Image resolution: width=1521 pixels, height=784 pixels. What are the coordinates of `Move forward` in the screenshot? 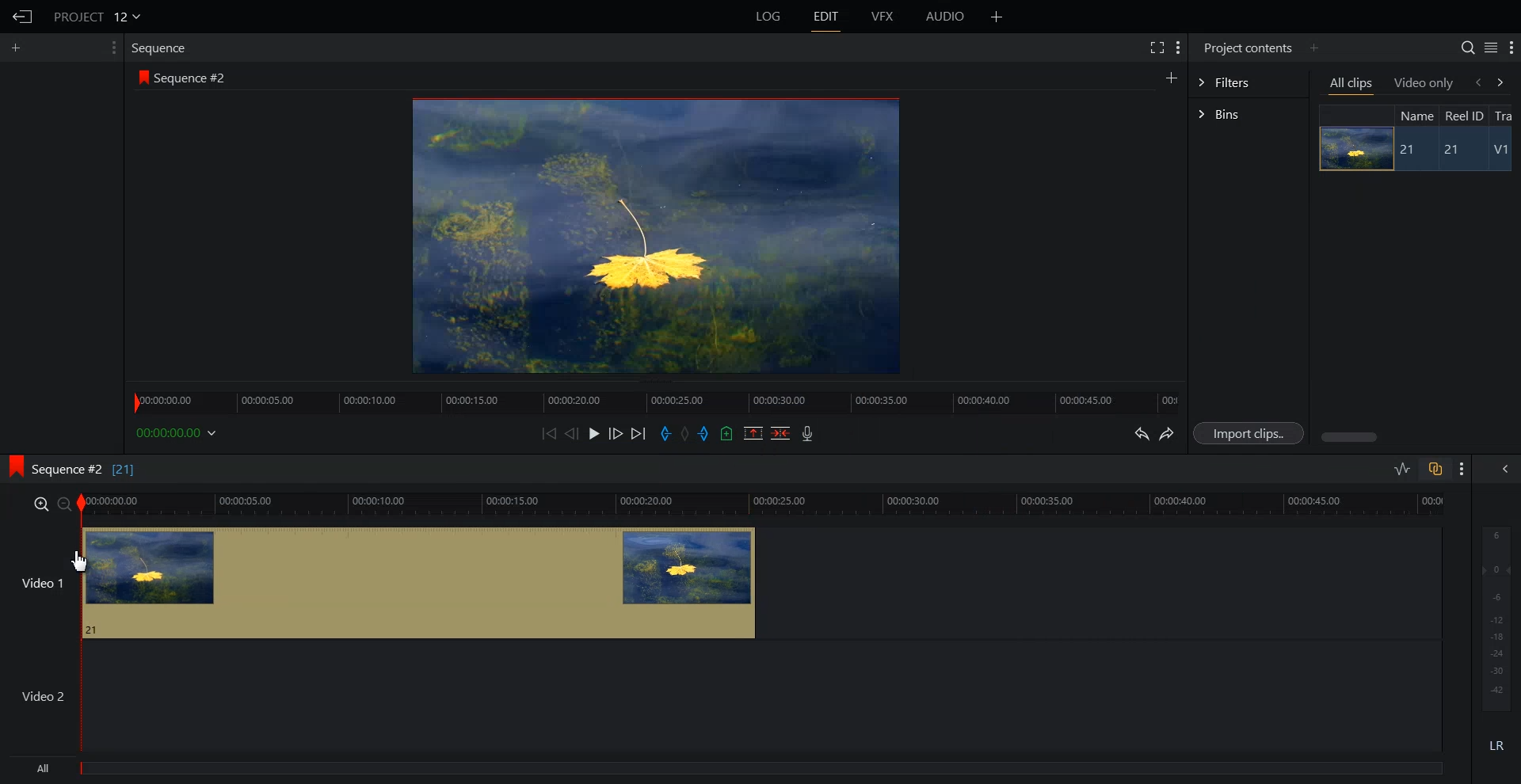 It's located at (639, 434).